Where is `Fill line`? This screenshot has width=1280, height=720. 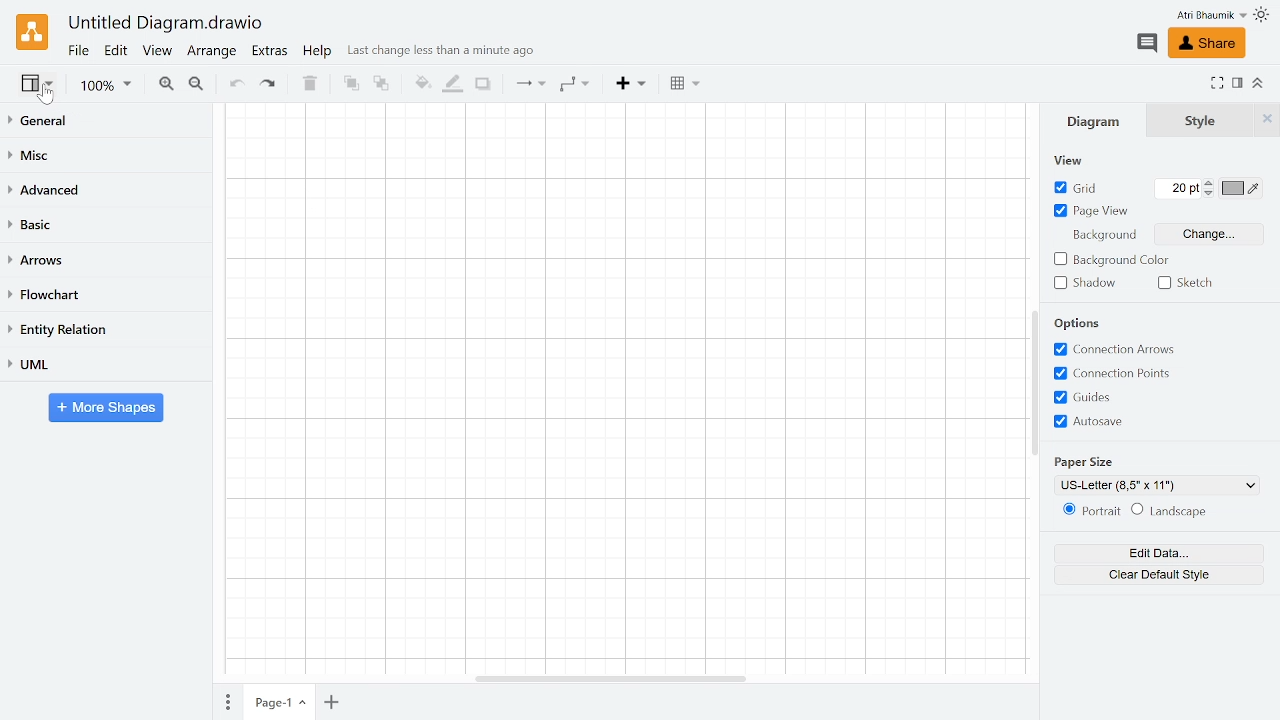 Fill line is located at coordinates (451, 84).